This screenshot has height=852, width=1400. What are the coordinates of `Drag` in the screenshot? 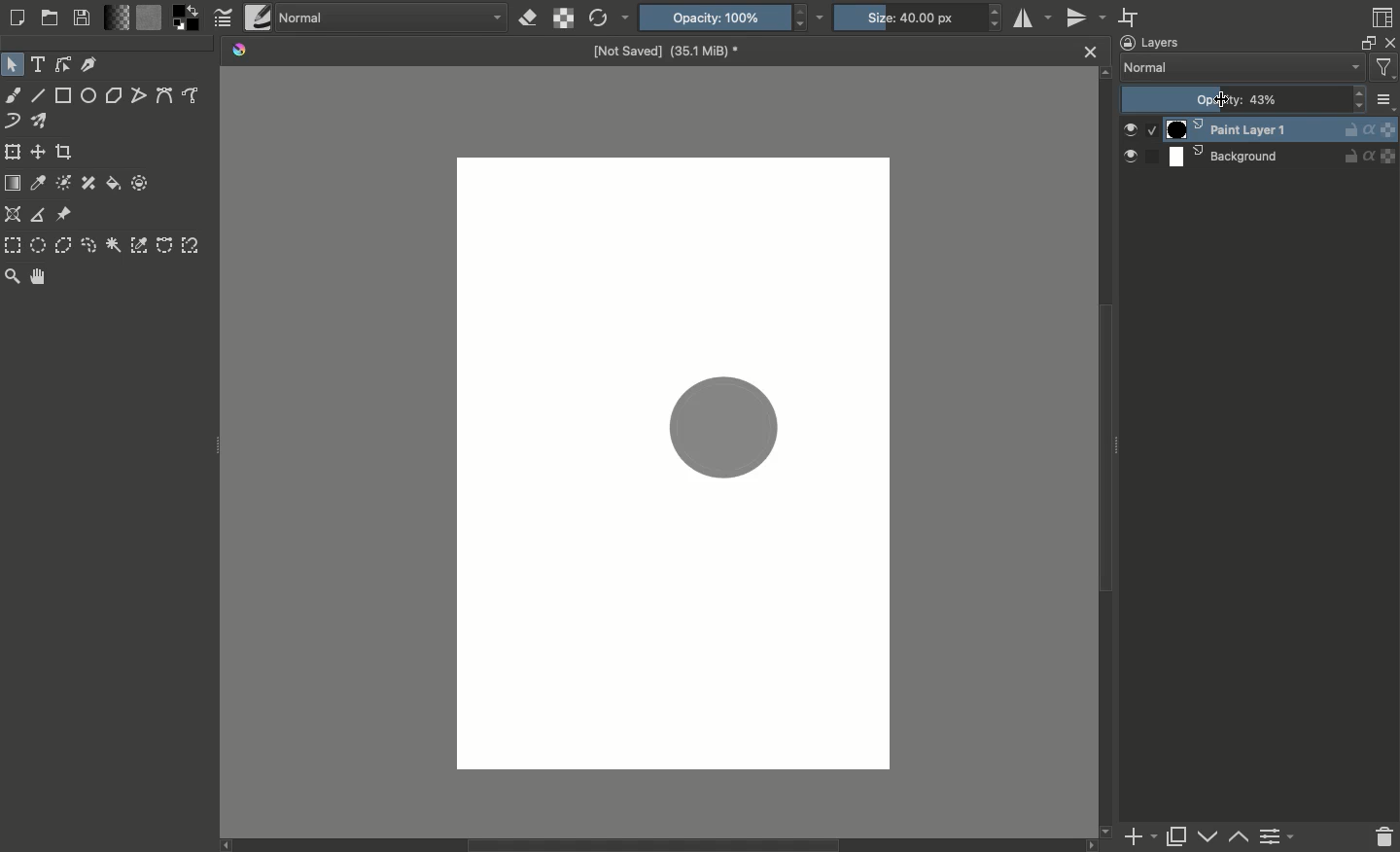 It's located at (216, 447).